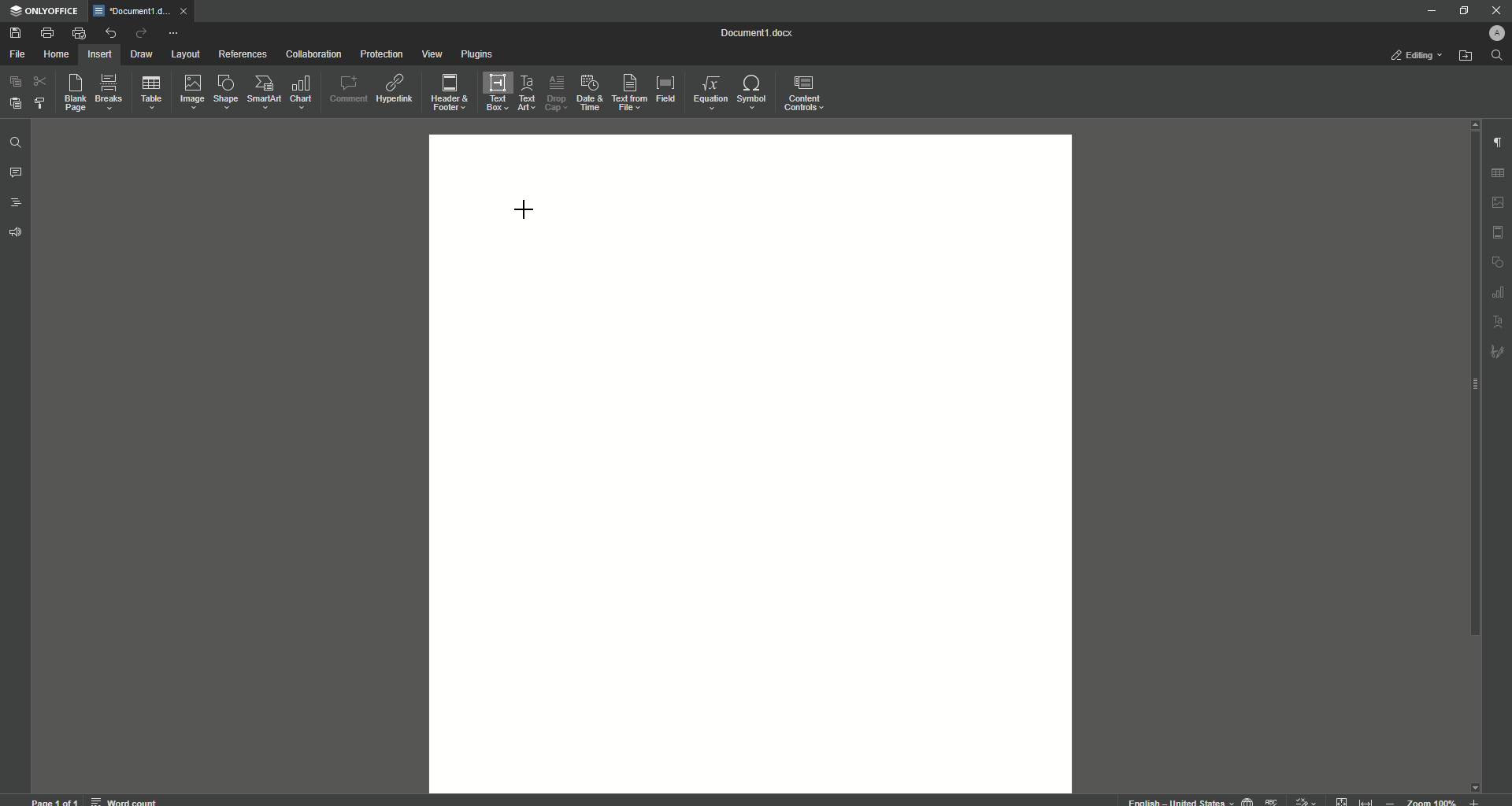 The height and width of the screenshot is (806, 1512). Describe the element at coordinates (46, 33) in the screenshot. I see `Print` at that location.